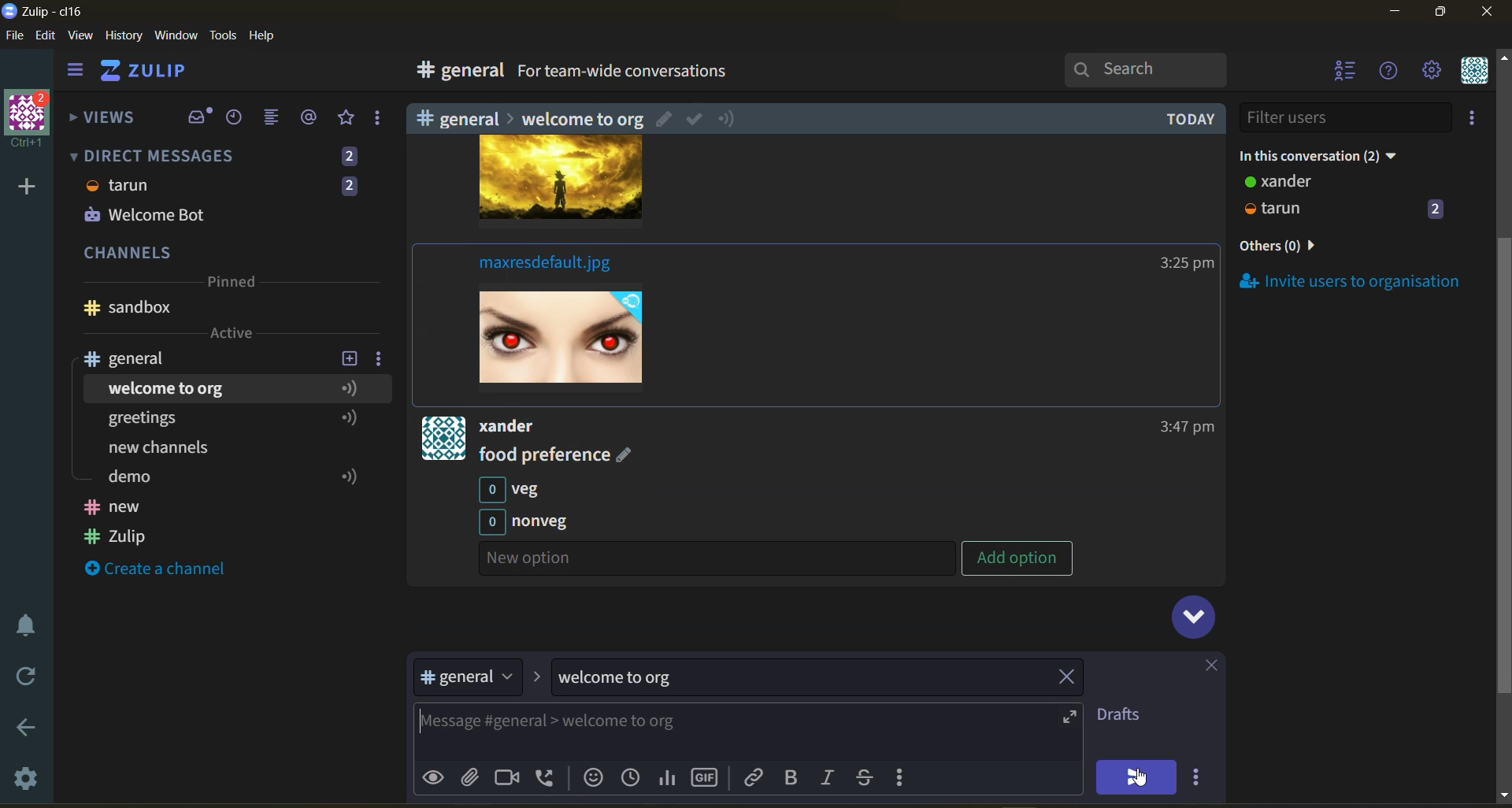  Describe the element at coordinates (1172, 262) in the screenshot. I see `` at that location.